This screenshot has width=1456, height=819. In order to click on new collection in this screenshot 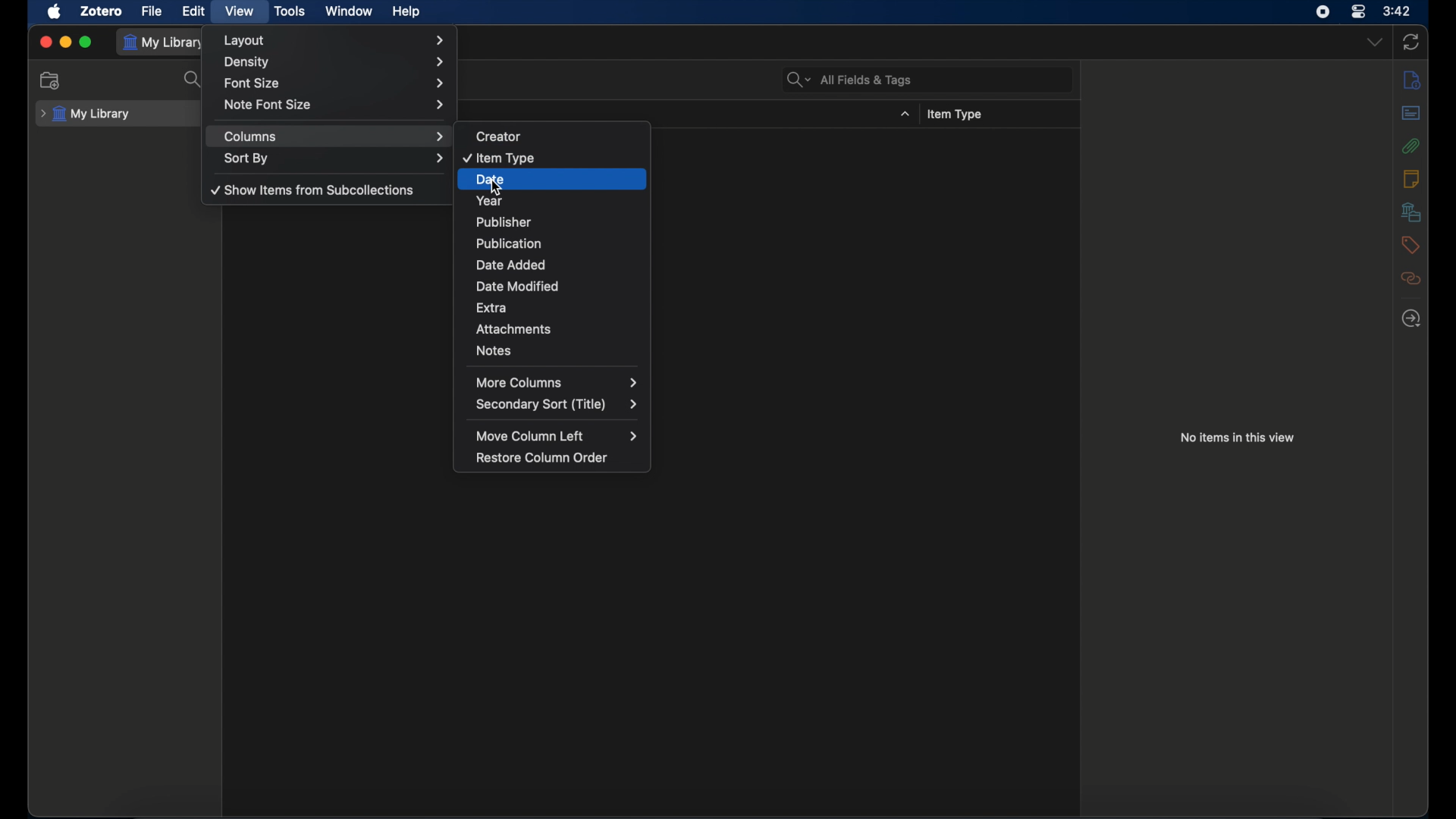, I will do `click(52, 81)`.